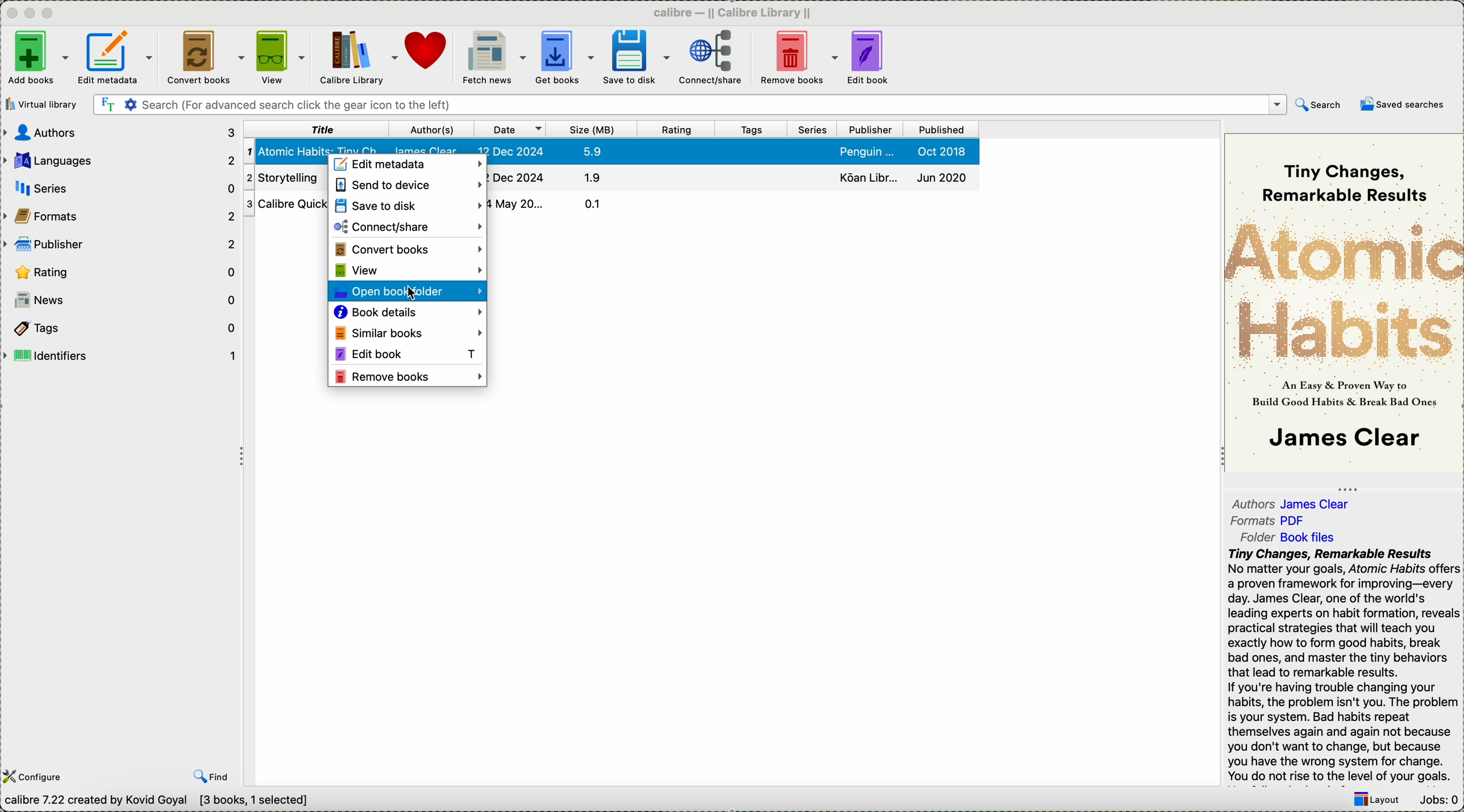 This screenshot has height=812, width=1464. I want to click on convert books, so click(203, 59).